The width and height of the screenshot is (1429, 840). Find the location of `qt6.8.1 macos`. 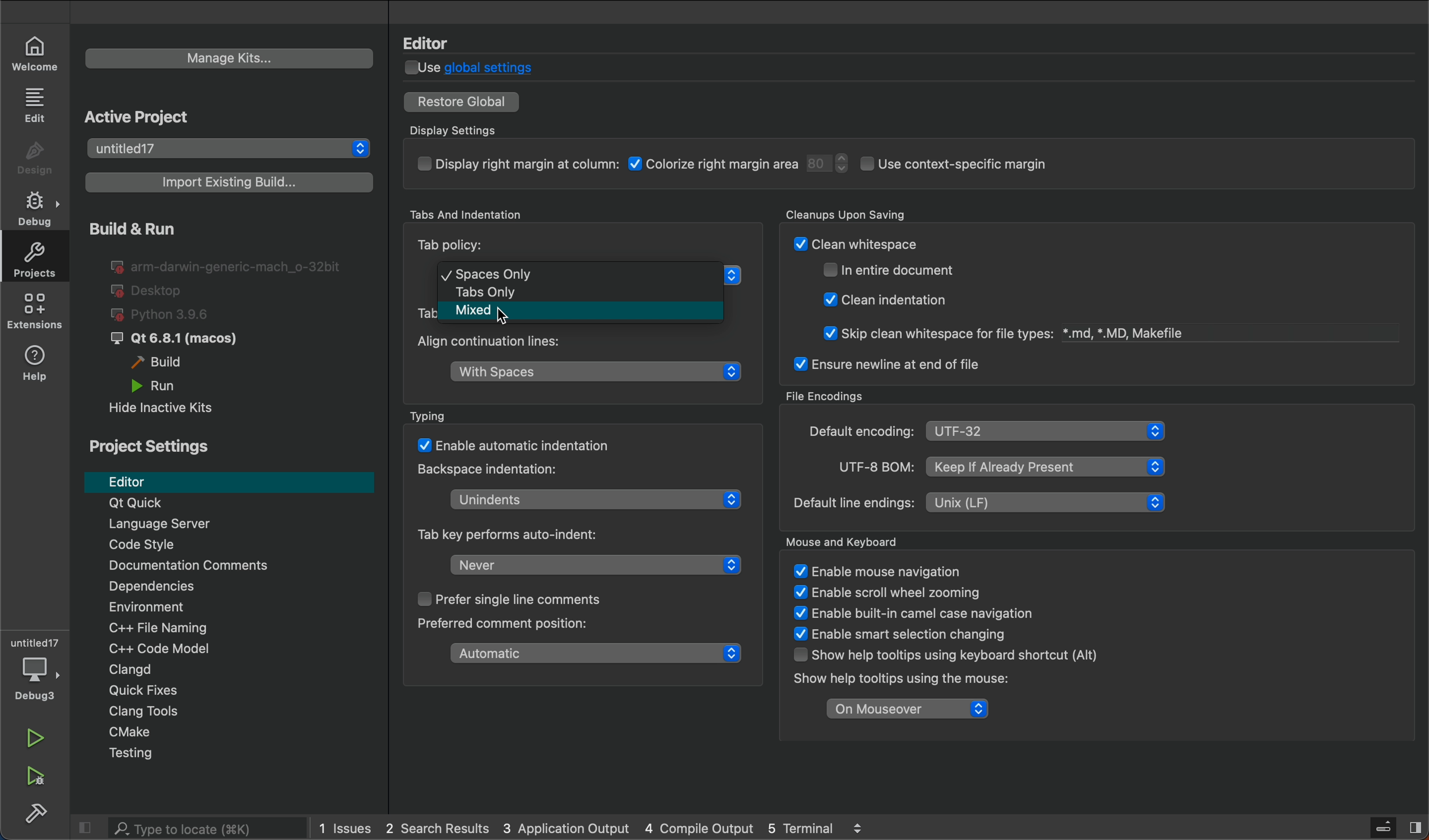

qt6.8.1 macos is located at coordinates (173, 338).